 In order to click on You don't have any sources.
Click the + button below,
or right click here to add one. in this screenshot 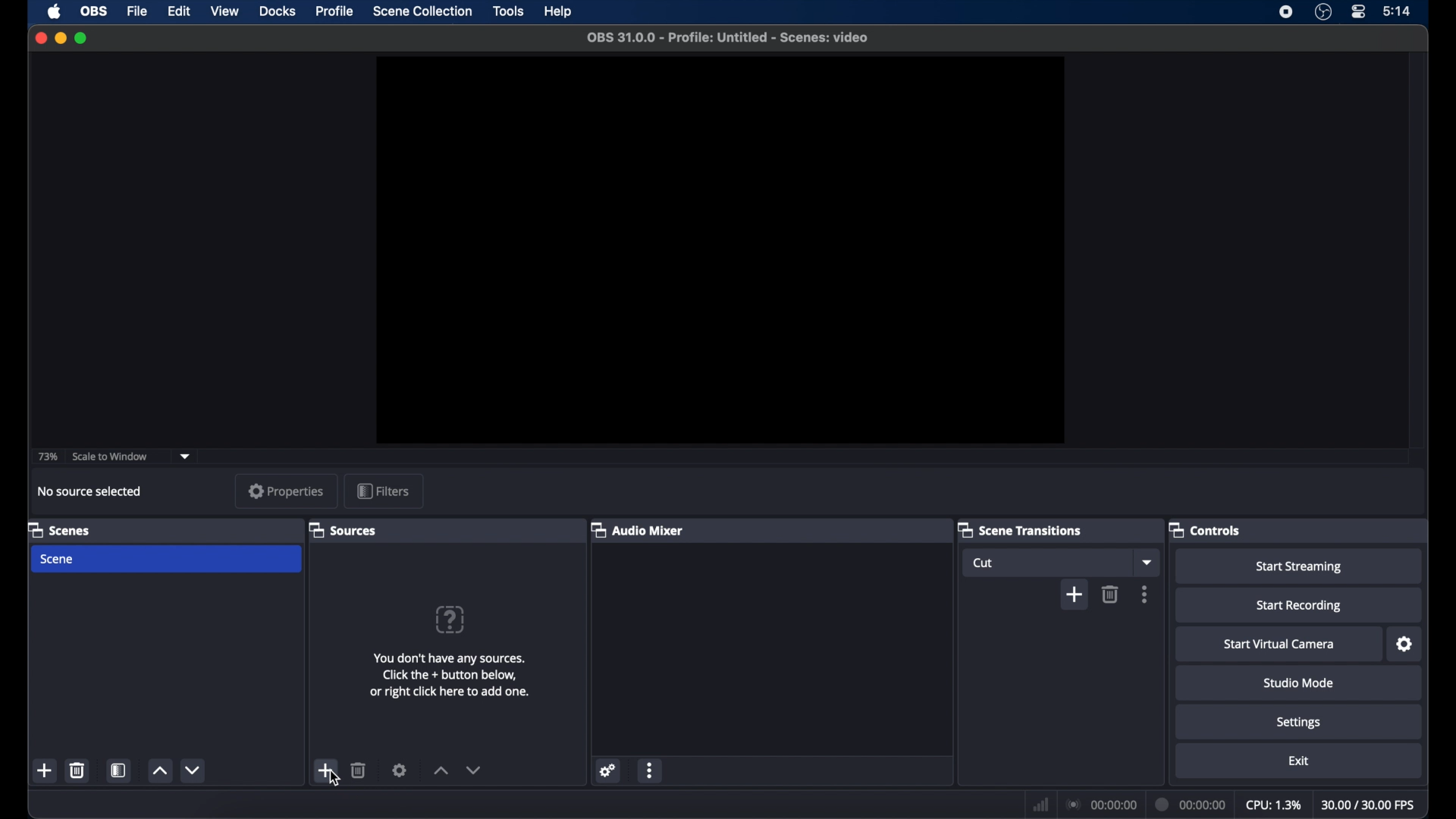, I will do `click(449, 678)`.